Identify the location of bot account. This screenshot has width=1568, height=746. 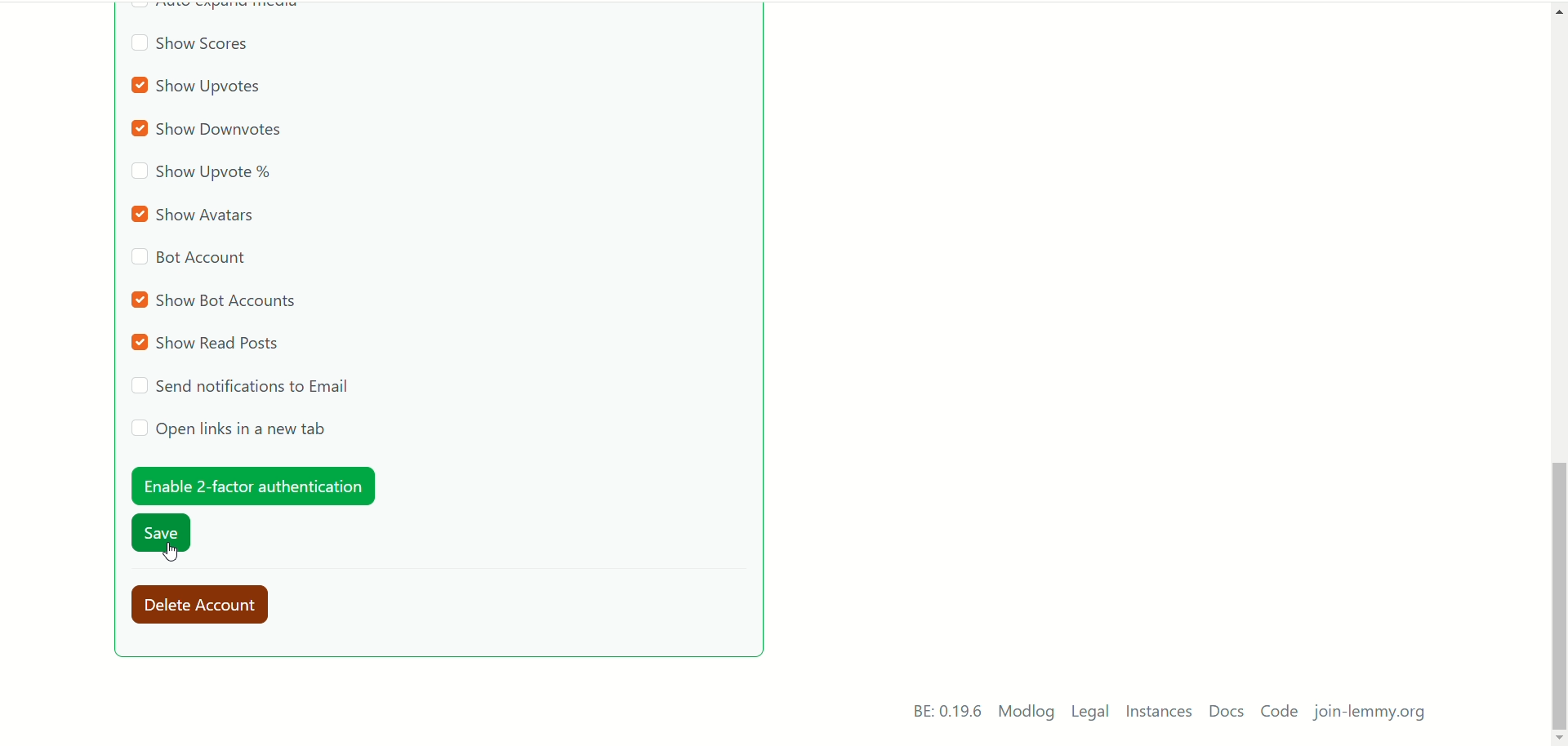
(189, 260).